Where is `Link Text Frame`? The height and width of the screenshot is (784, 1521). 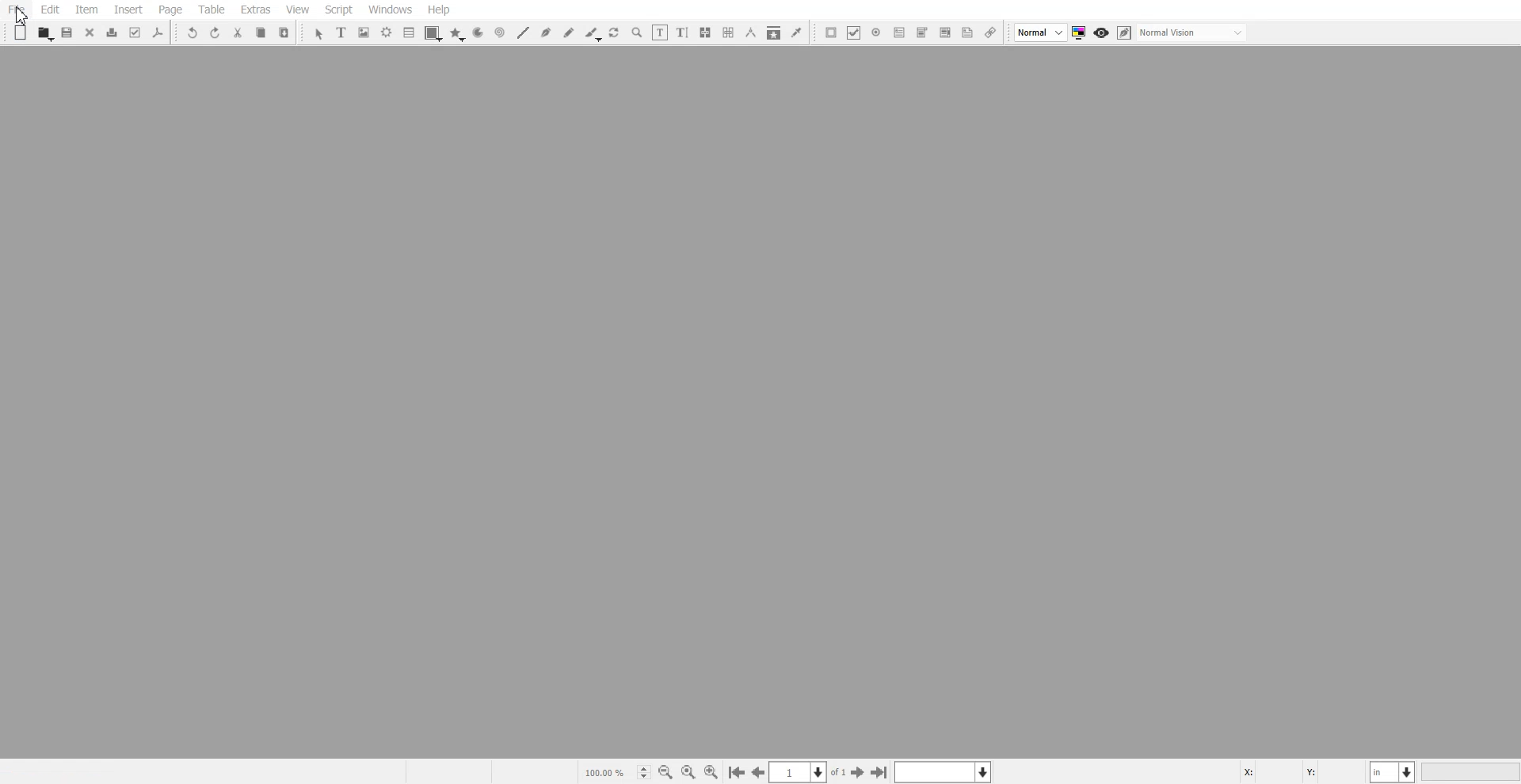 Link Text Frame is located at coordinates (705, 32).